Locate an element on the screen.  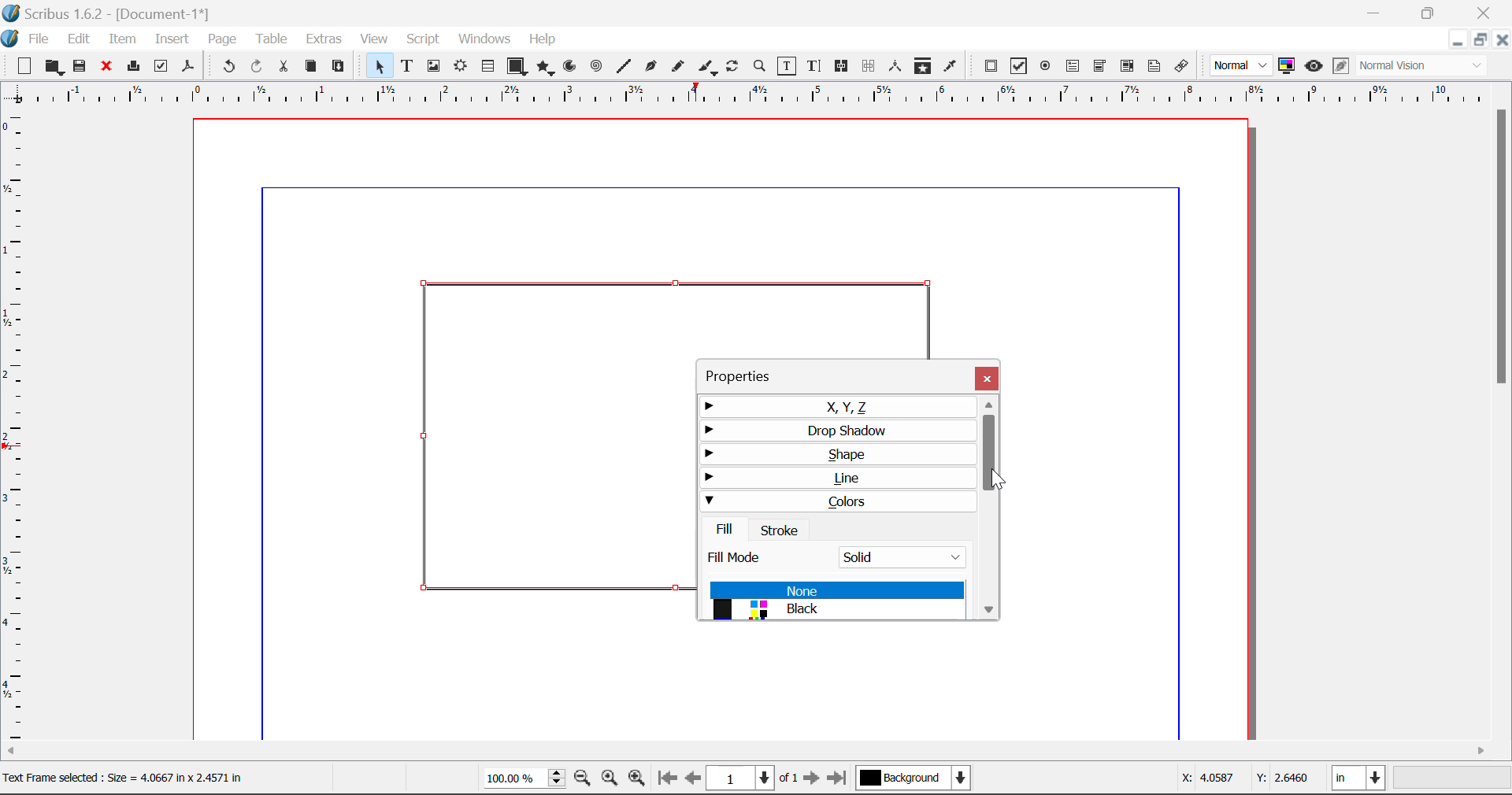
Cut is located at coordinates (285, 66).